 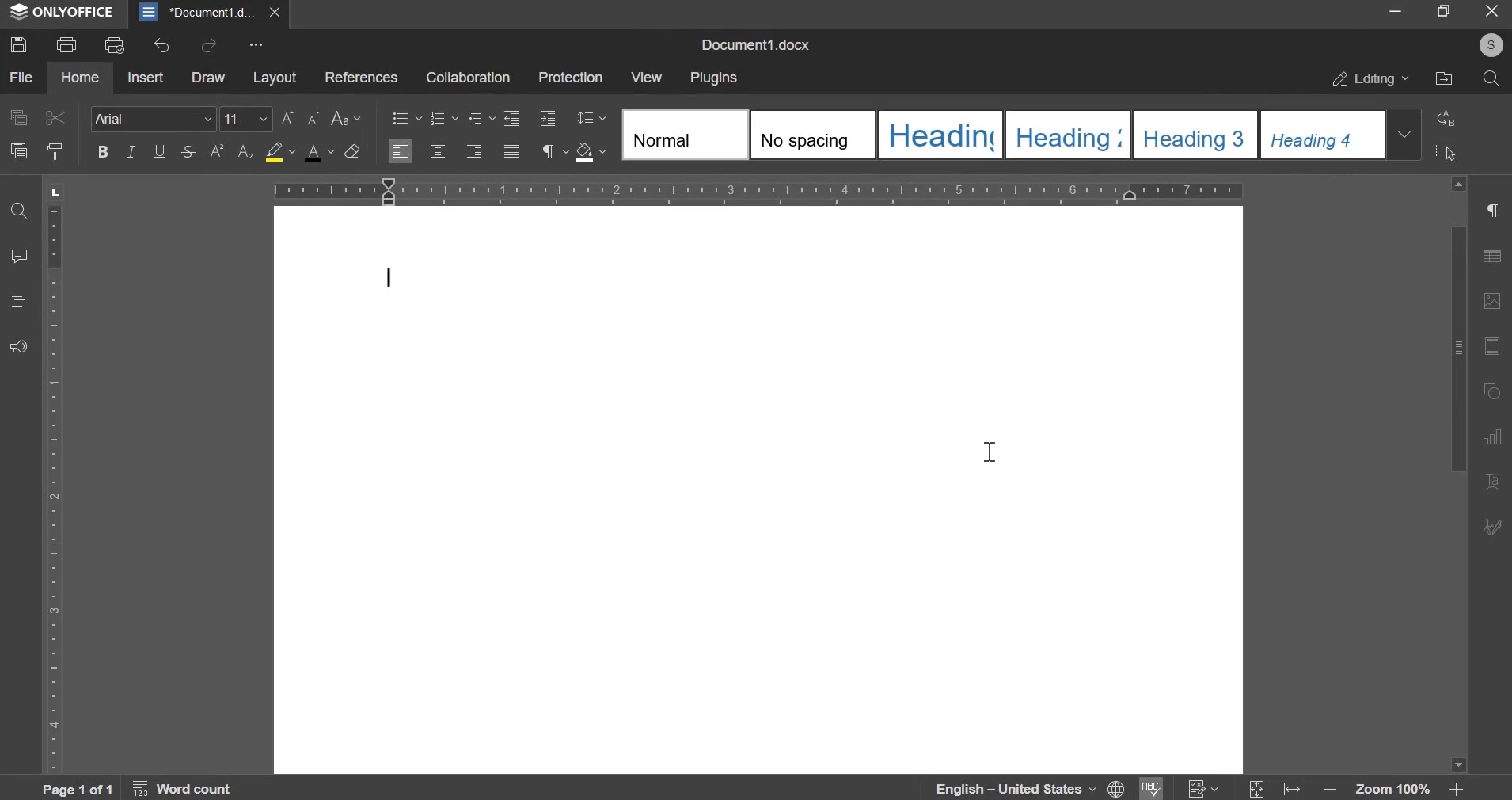 What do you see at coordinates (1119, 788) in the screenshot?
I see `internet icon` at bounding box center [1119, 788].